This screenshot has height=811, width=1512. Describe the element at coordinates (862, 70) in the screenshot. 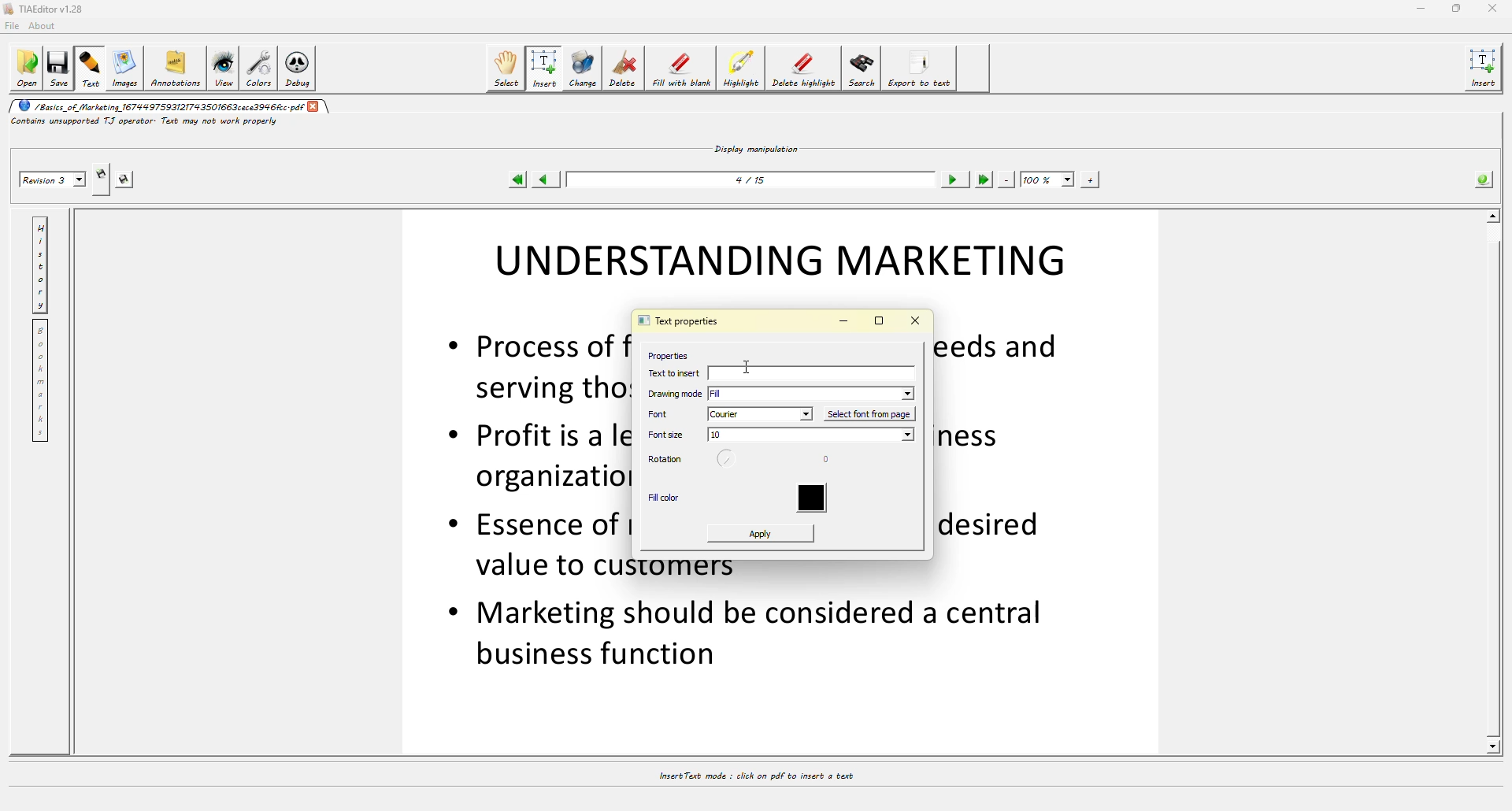

I see `search` at that location.